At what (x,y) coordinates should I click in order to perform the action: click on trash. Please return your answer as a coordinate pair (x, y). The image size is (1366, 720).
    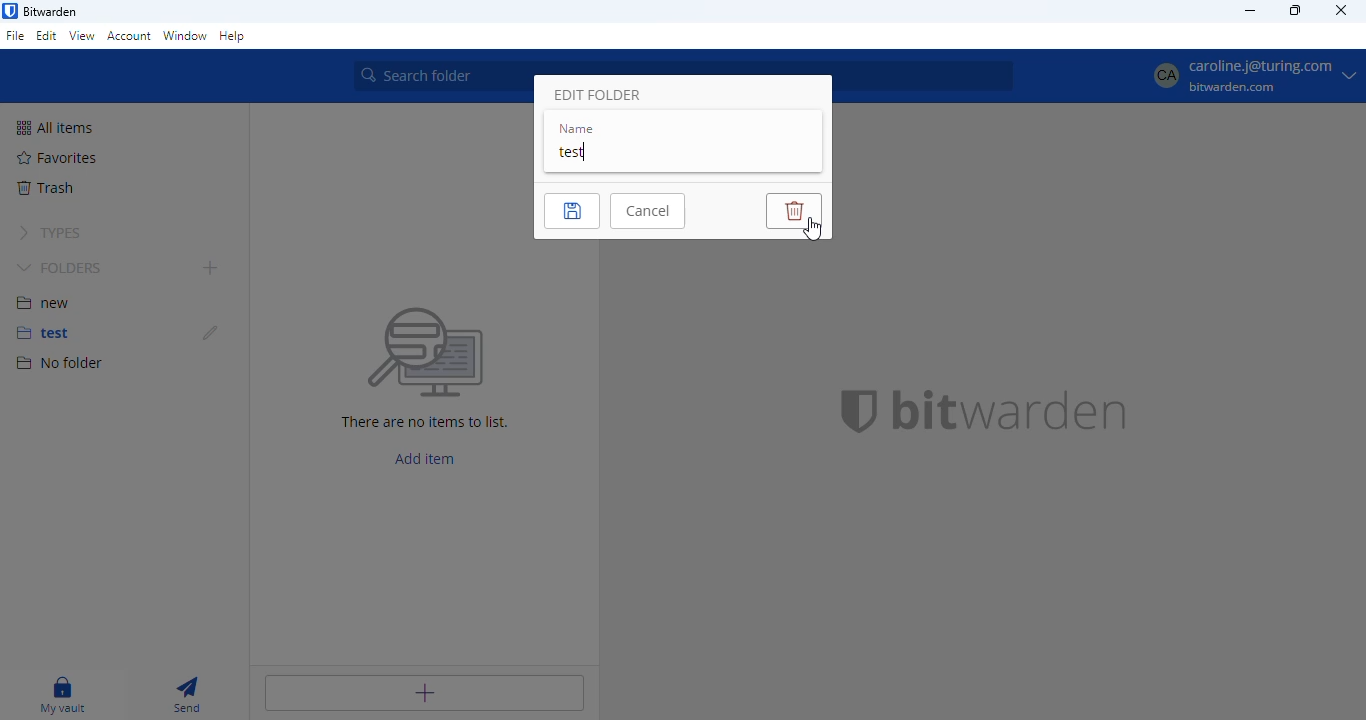
    Looking at the image, I should click on (47, 188).